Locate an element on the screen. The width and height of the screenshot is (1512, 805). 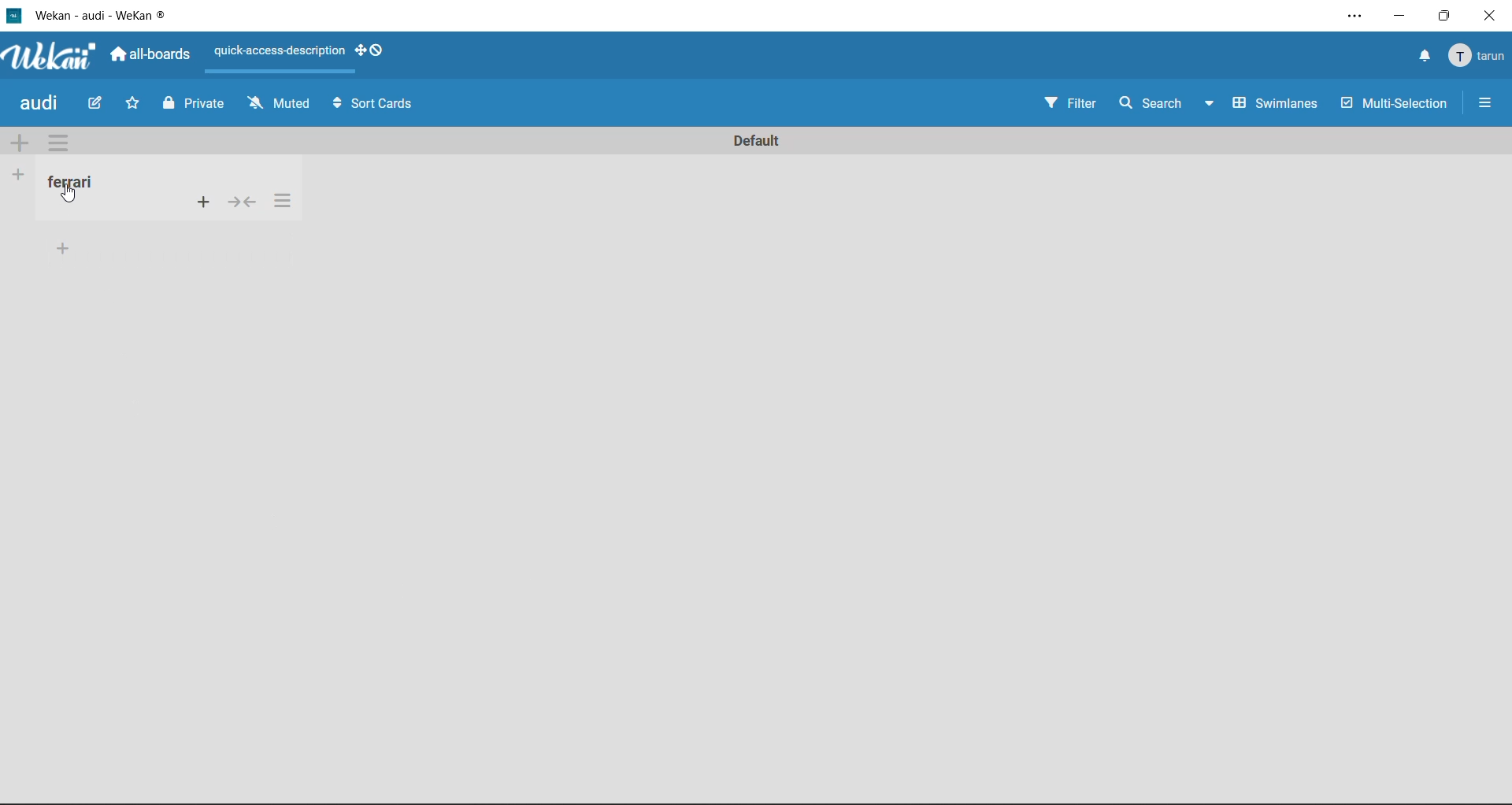
More Options is located at coordinates (1492, 101).